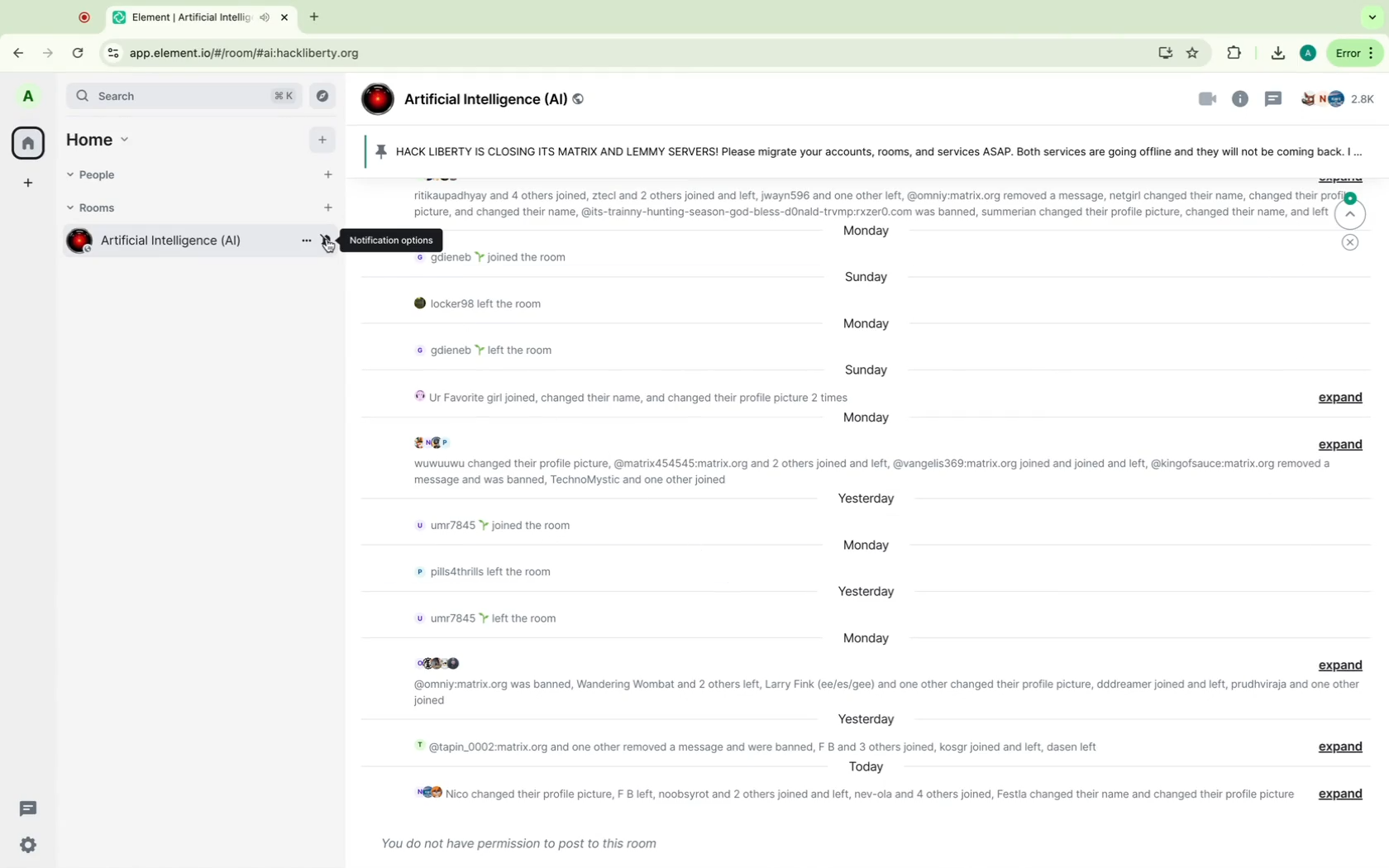 Image resolution: width=1389 pixels, height=868 pixels. What do you see at coordinates (479, 304) in the screenshot?
I see `message` at bounding box center [479, 304].